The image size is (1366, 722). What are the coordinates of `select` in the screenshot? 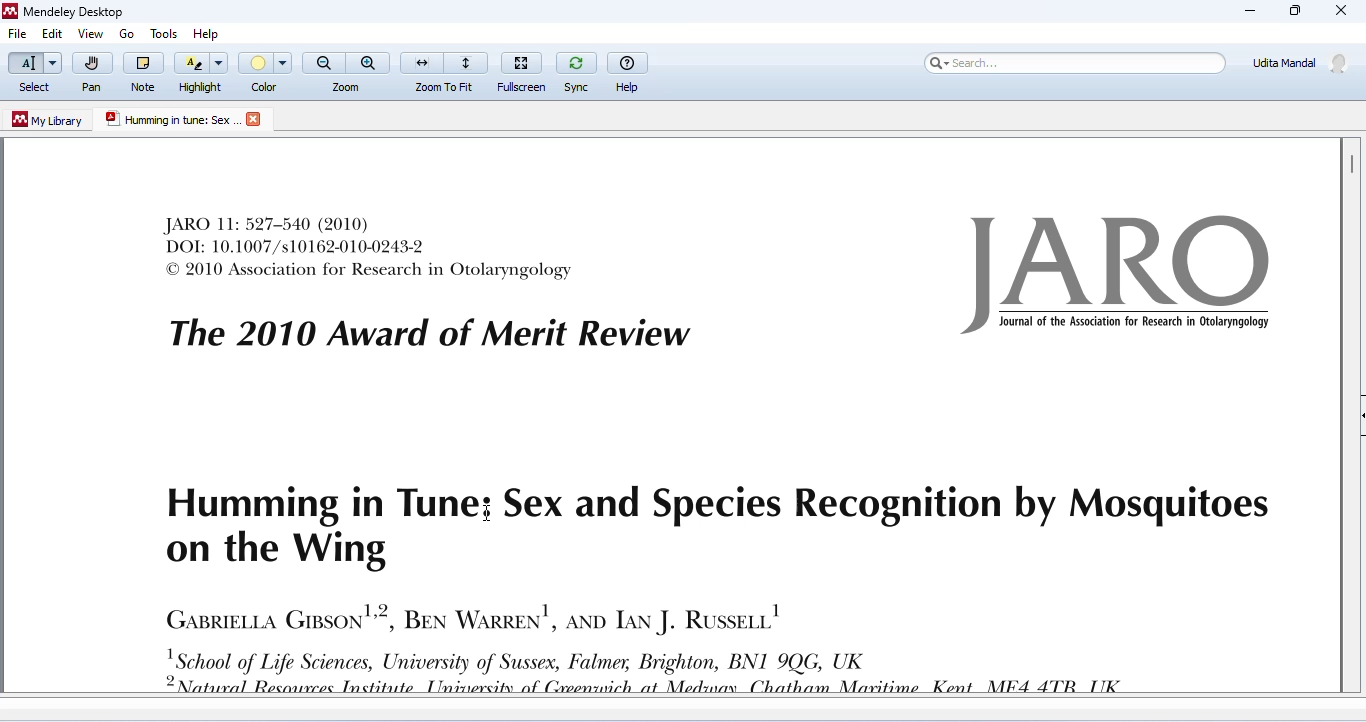 It's located at (33, 73).